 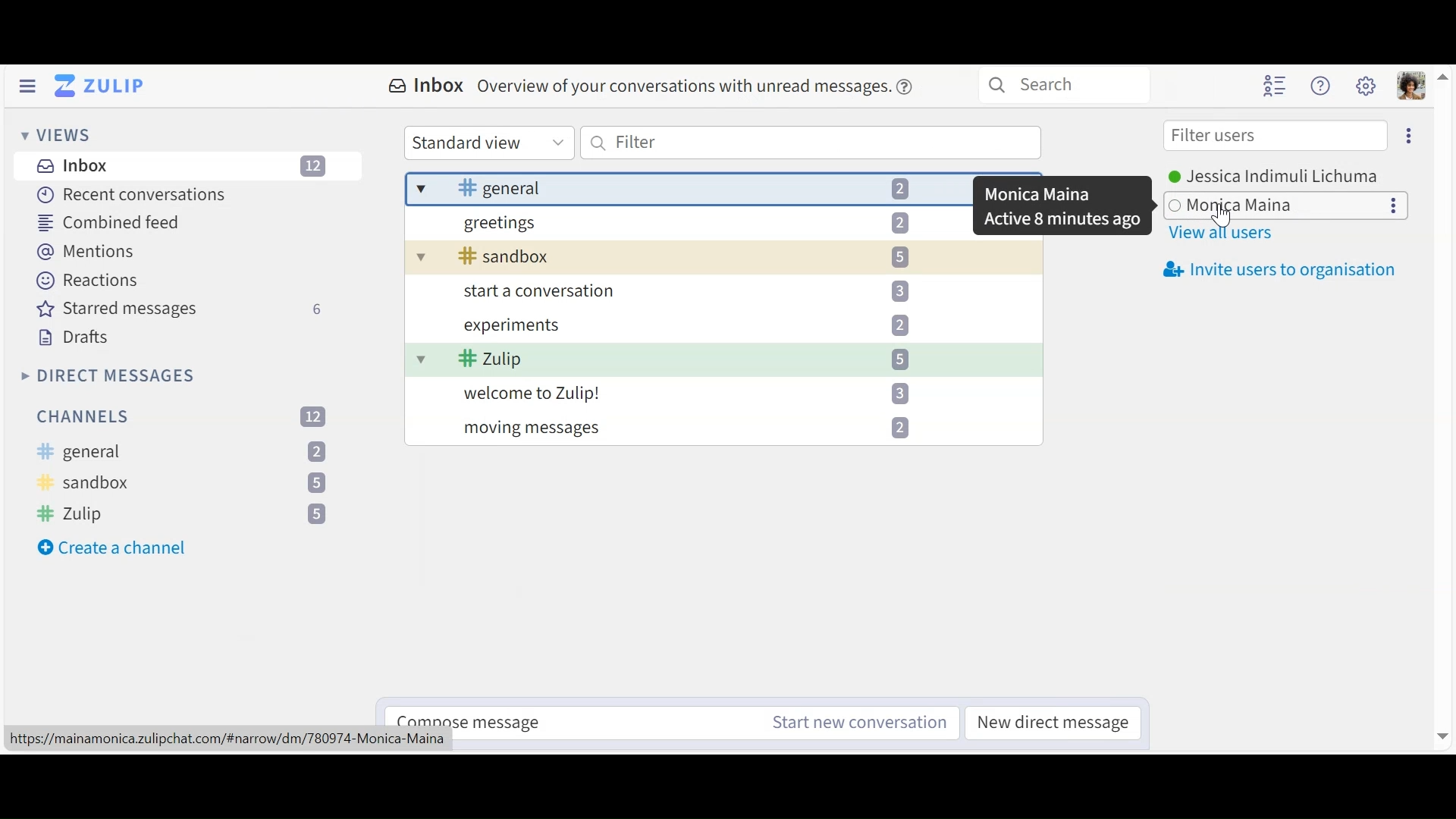 I want to click on View all users, so click(x=1232, y=231).